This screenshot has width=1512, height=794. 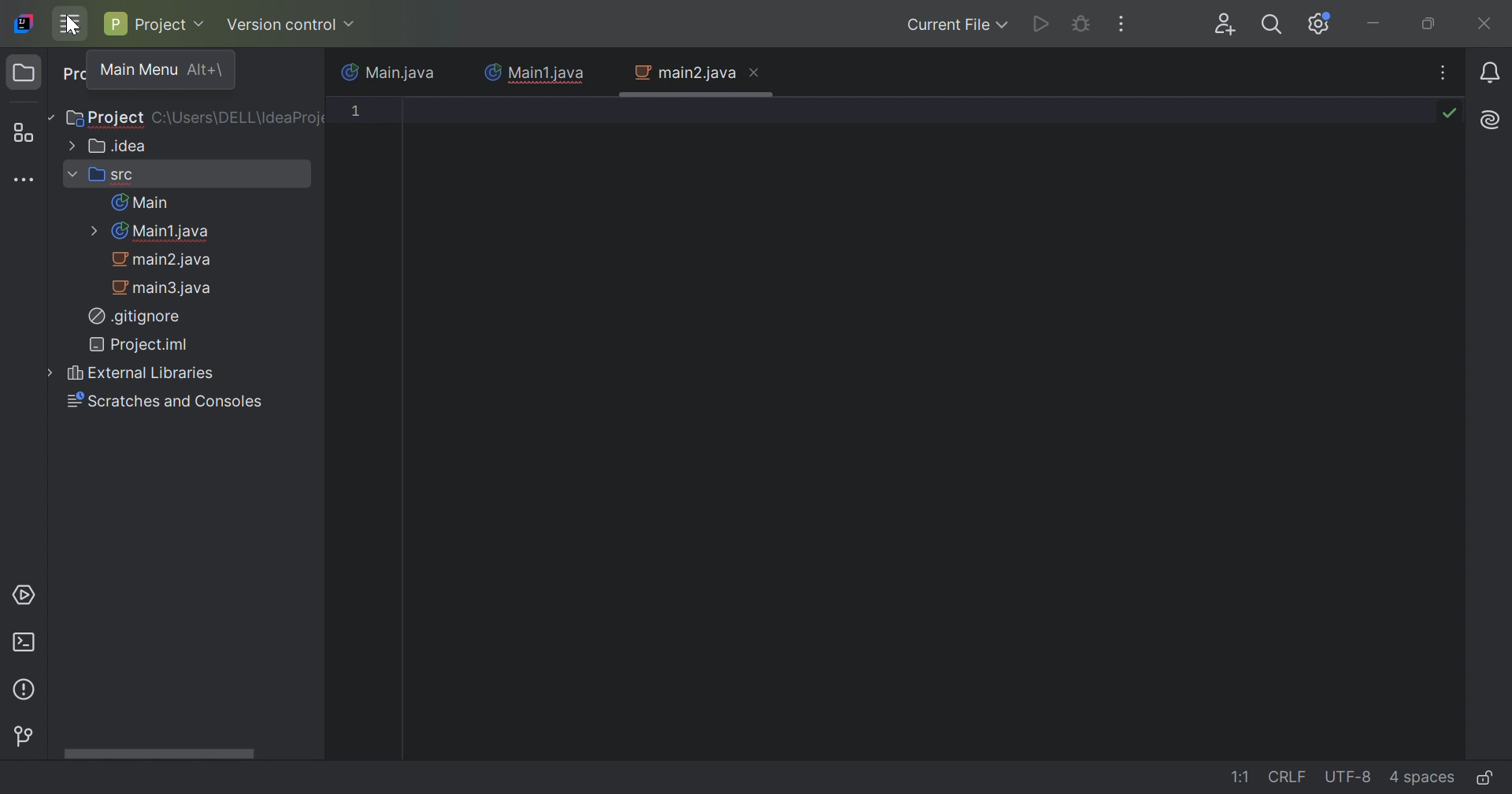 I want to click on Make file read-only, so click(x=1492, y=780).